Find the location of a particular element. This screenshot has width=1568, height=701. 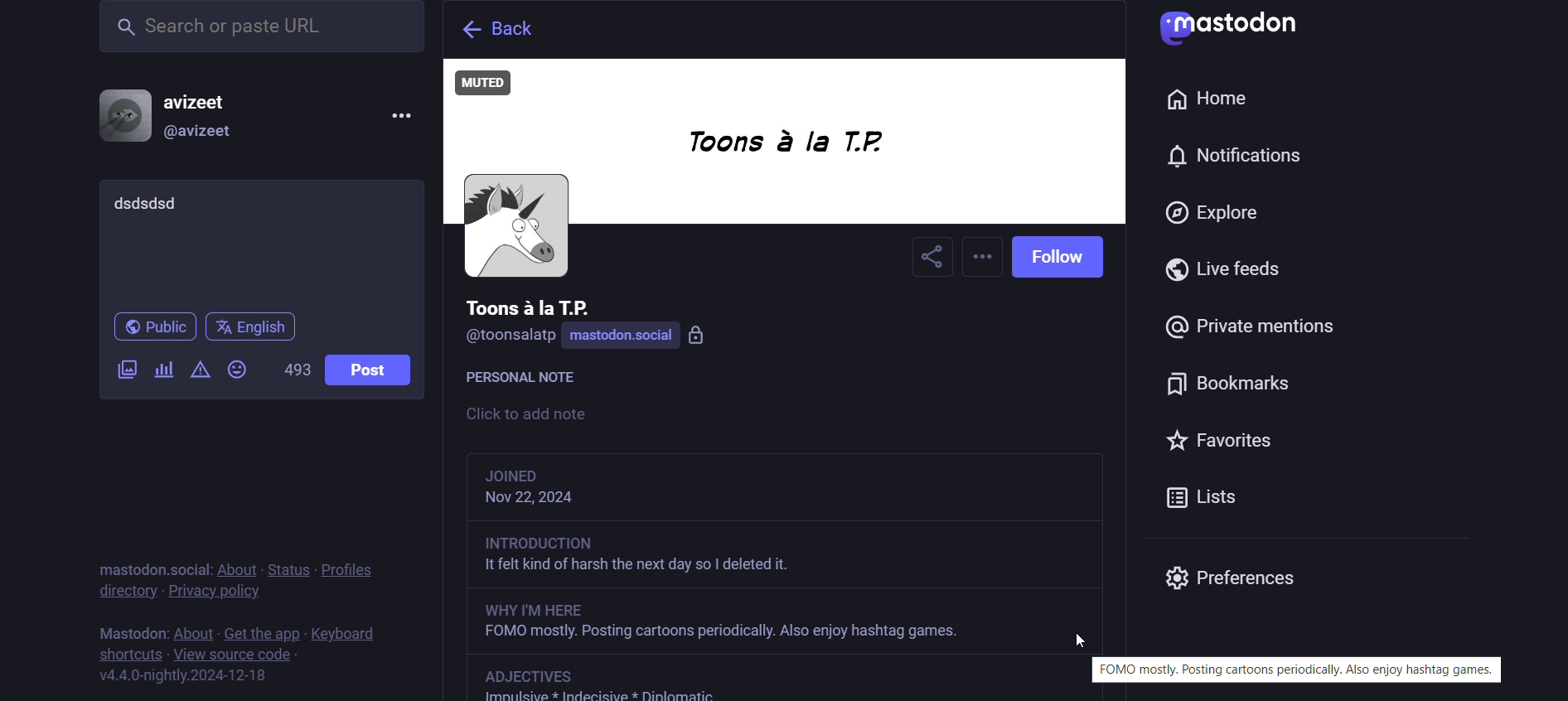

favorites is located at coordinates (1216, 441).